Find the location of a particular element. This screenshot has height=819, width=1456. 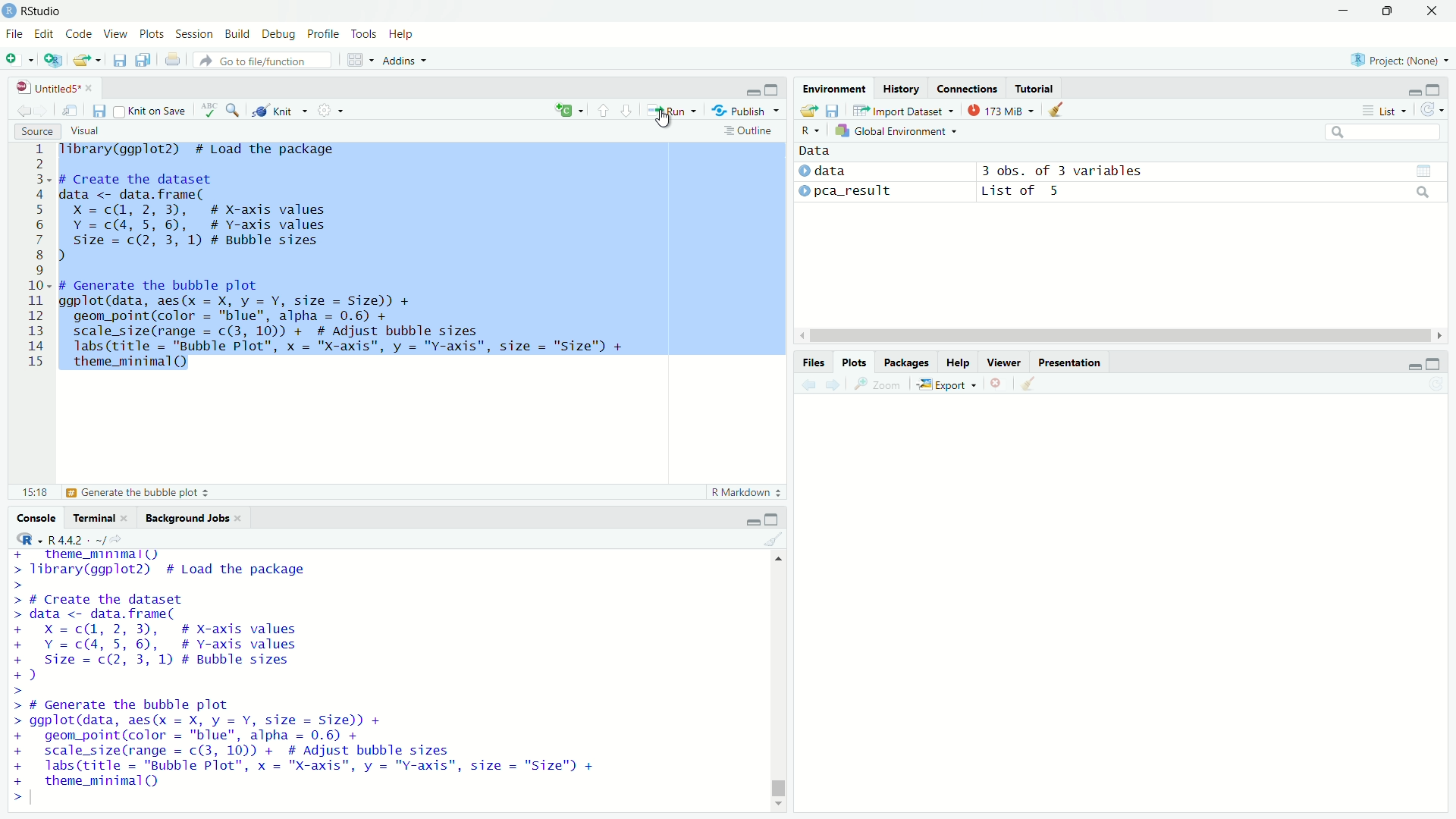

R markdown is located at coordinates (747, 492).